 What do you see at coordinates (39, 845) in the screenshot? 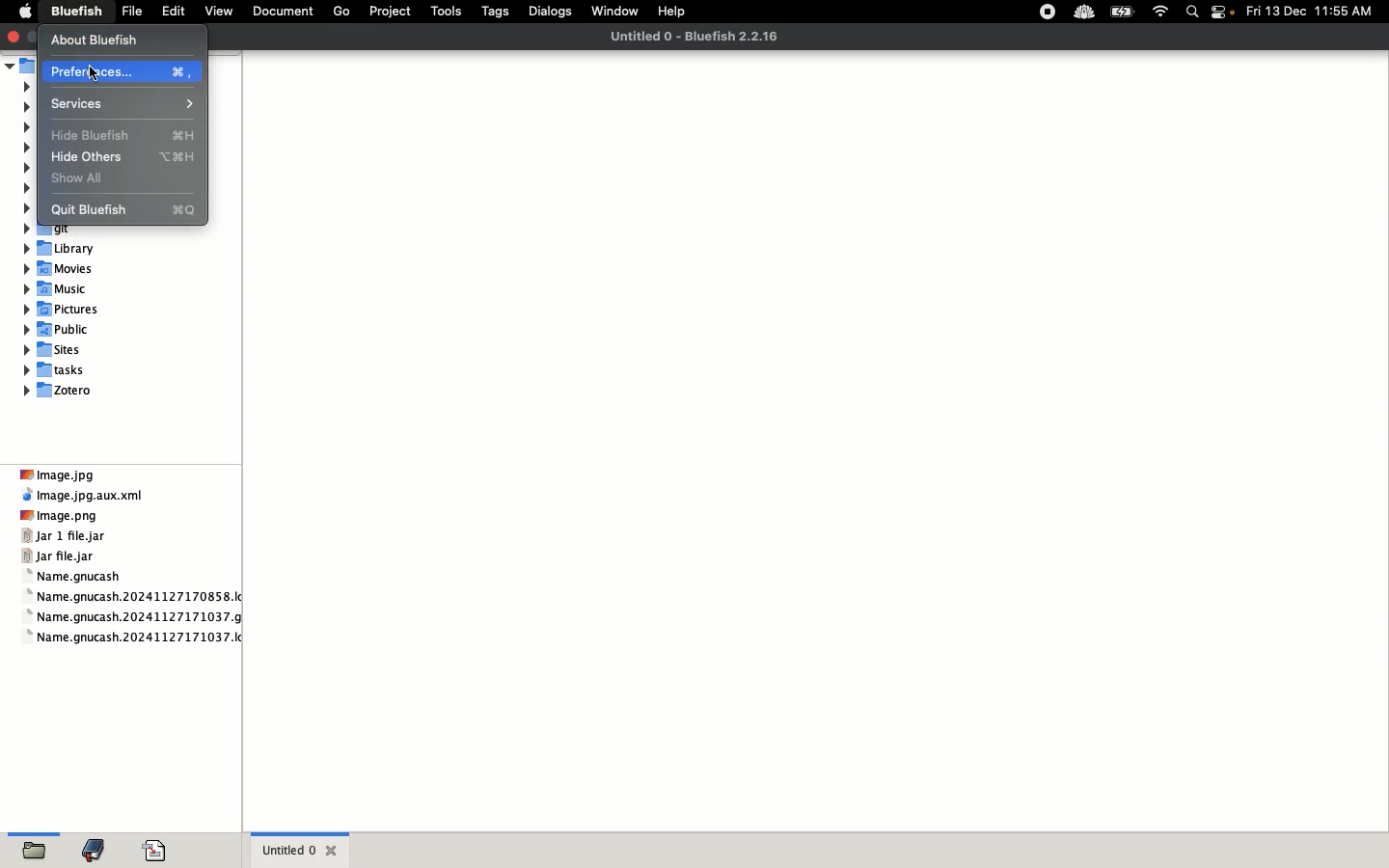
I see `folders` at bounding box center [39, 845].